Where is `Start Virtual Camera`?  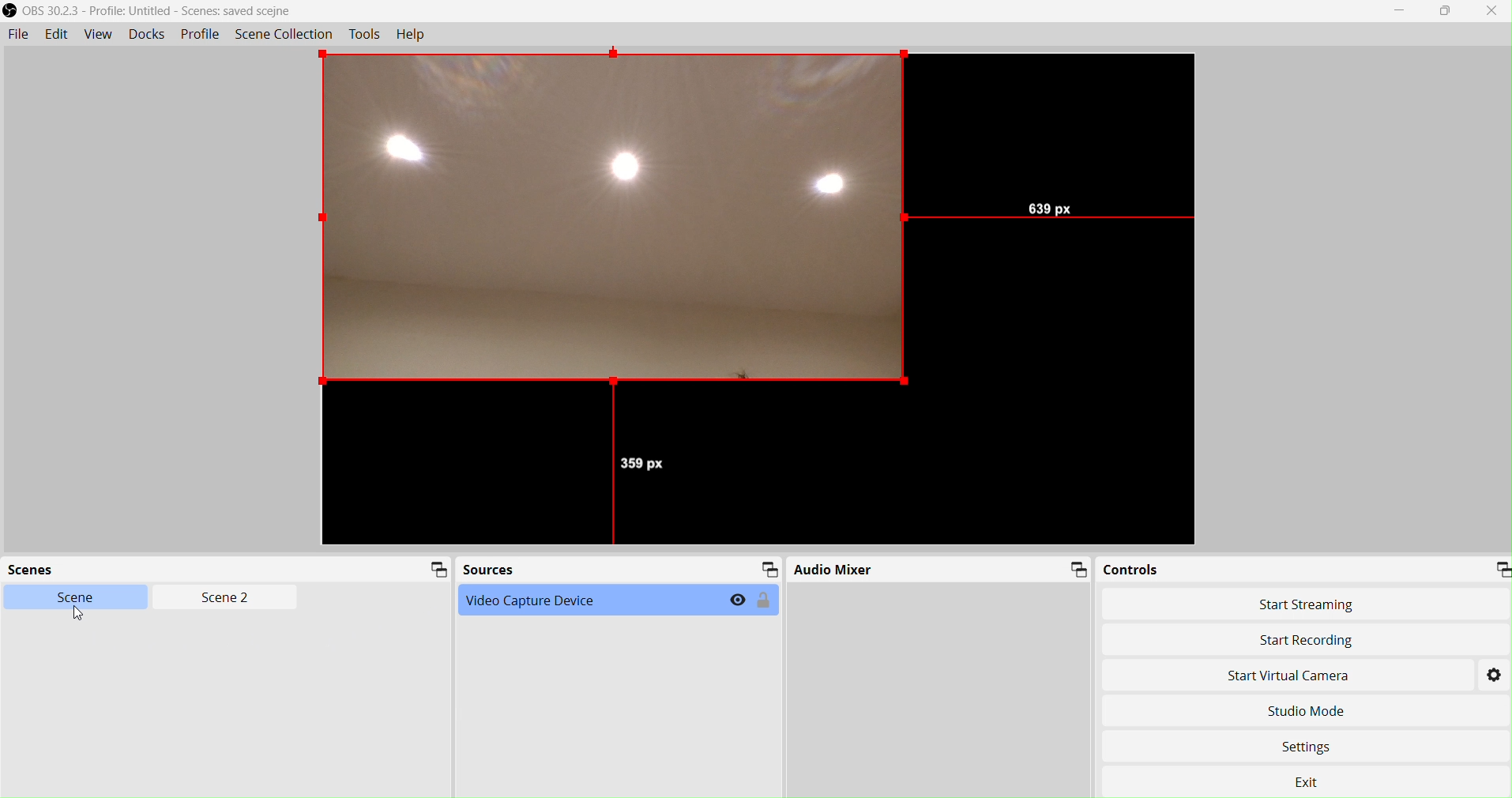 Start Virtual Camera is located at coordinates (1299, 675).